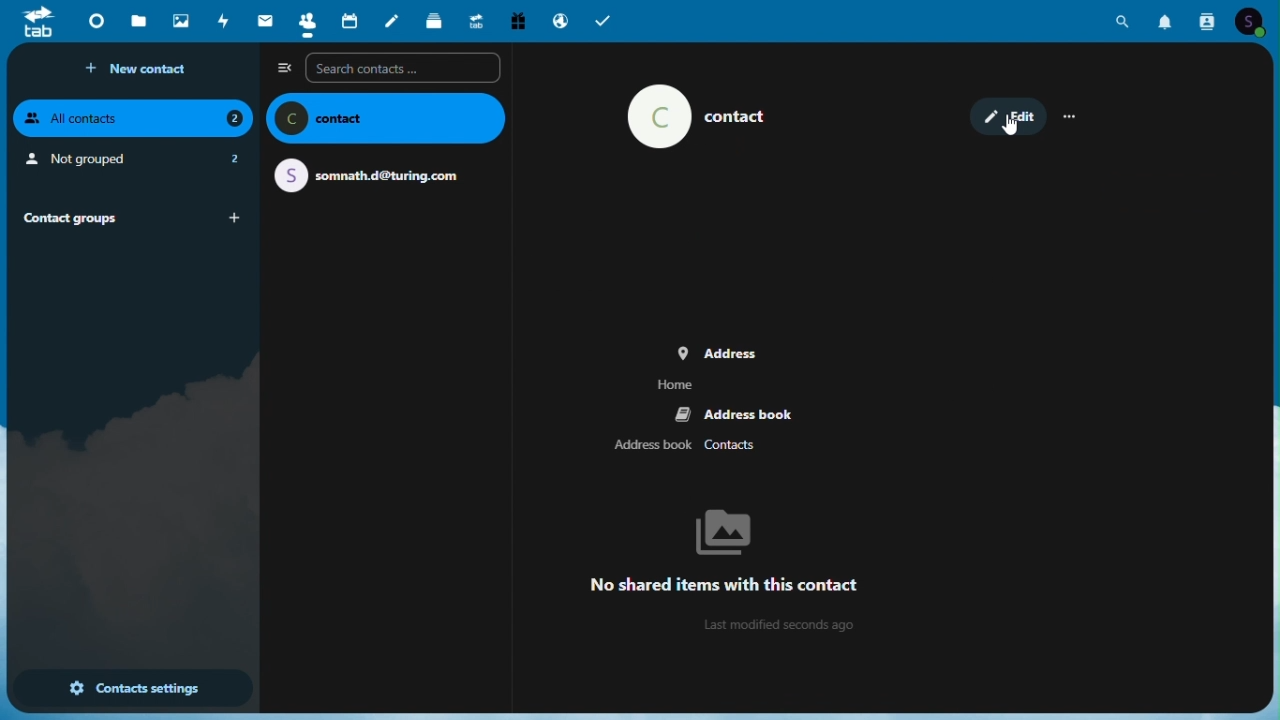 The height and width of the screenshot is (720, 1280). What do you see at coordinates (395, 23) in the screenshot?
I see `Notes` at bounding box center [395, 23].